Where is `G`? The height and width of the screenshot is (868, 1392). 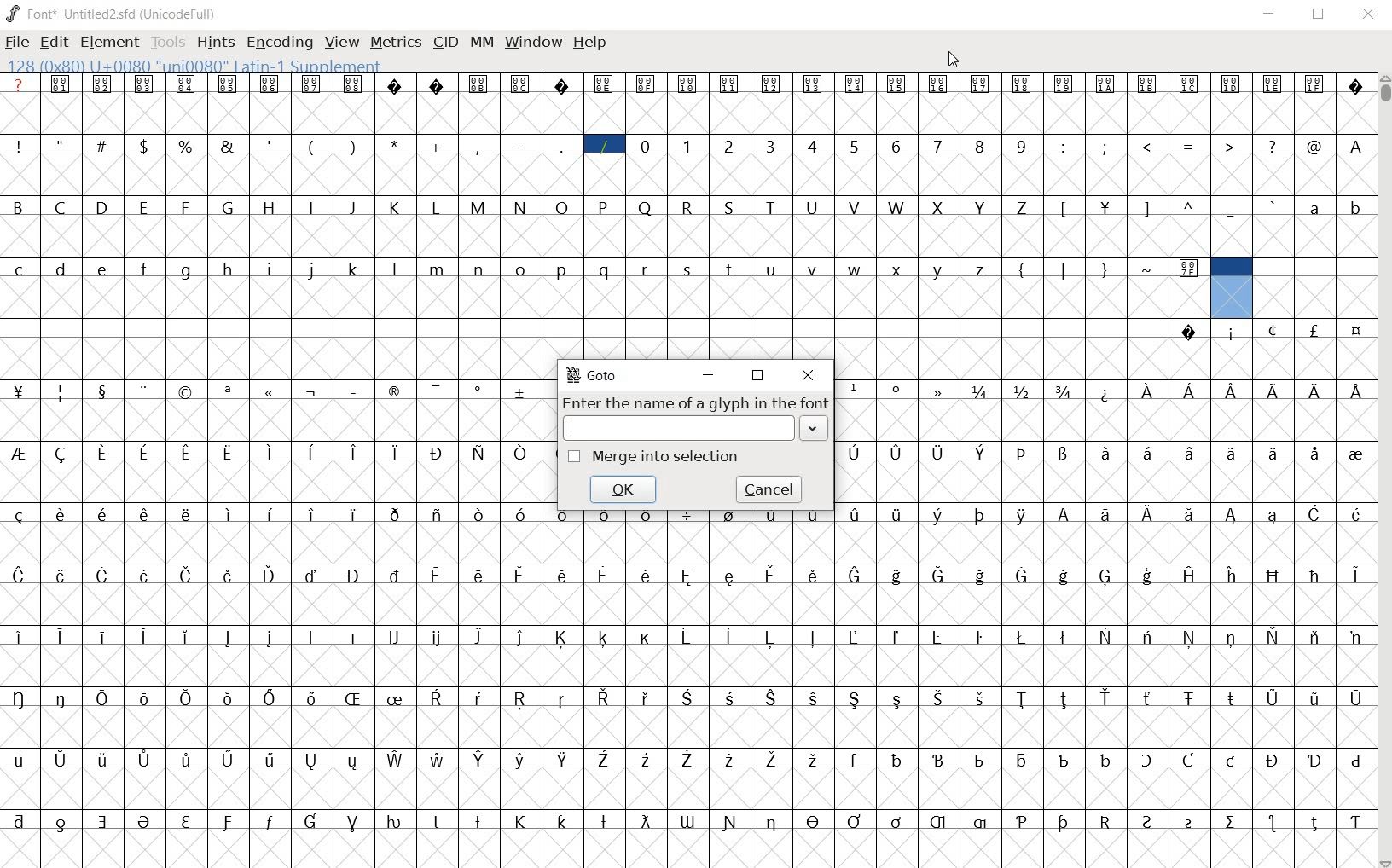
G is located at coordinates (230, 208).